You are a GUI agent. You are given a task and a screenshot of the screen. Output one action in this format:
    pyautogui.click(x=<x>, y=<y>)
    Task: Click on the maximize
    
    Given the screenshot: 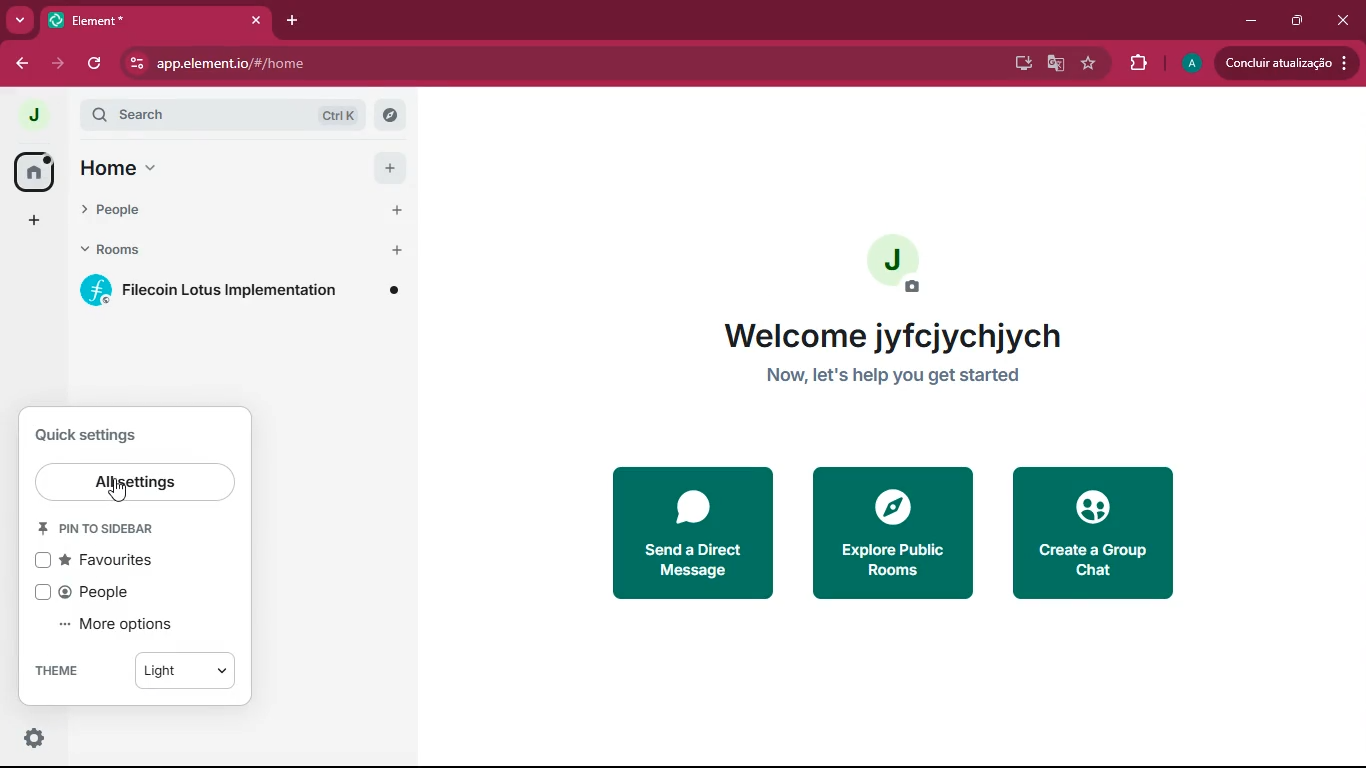 What is the action you would take?
    pyautogui.click(x=1297, y=20)
    